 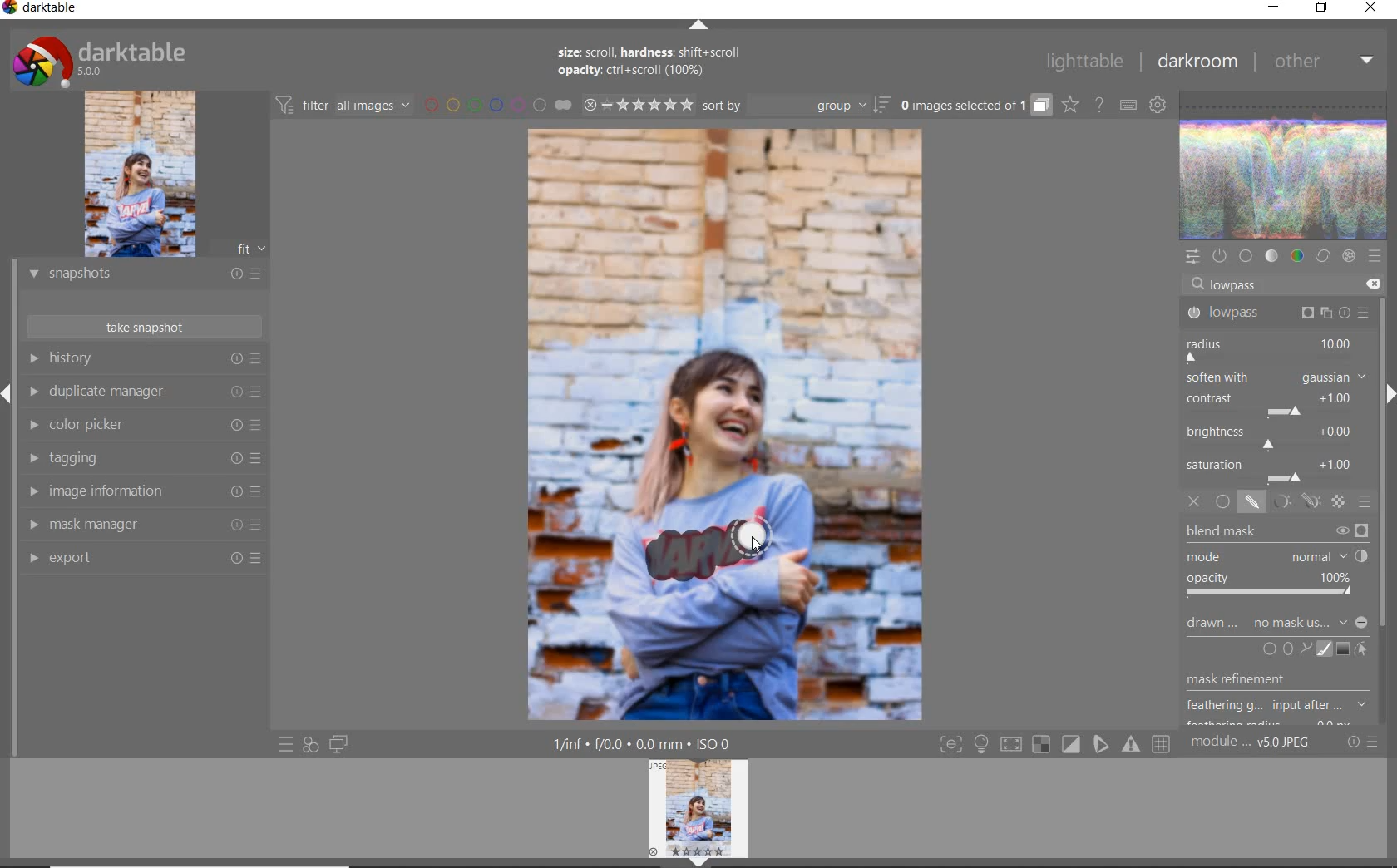 What do you see at coordinates (1370, 283) in the screenshot?
I see `delete` at bounding box center [1370, 283].